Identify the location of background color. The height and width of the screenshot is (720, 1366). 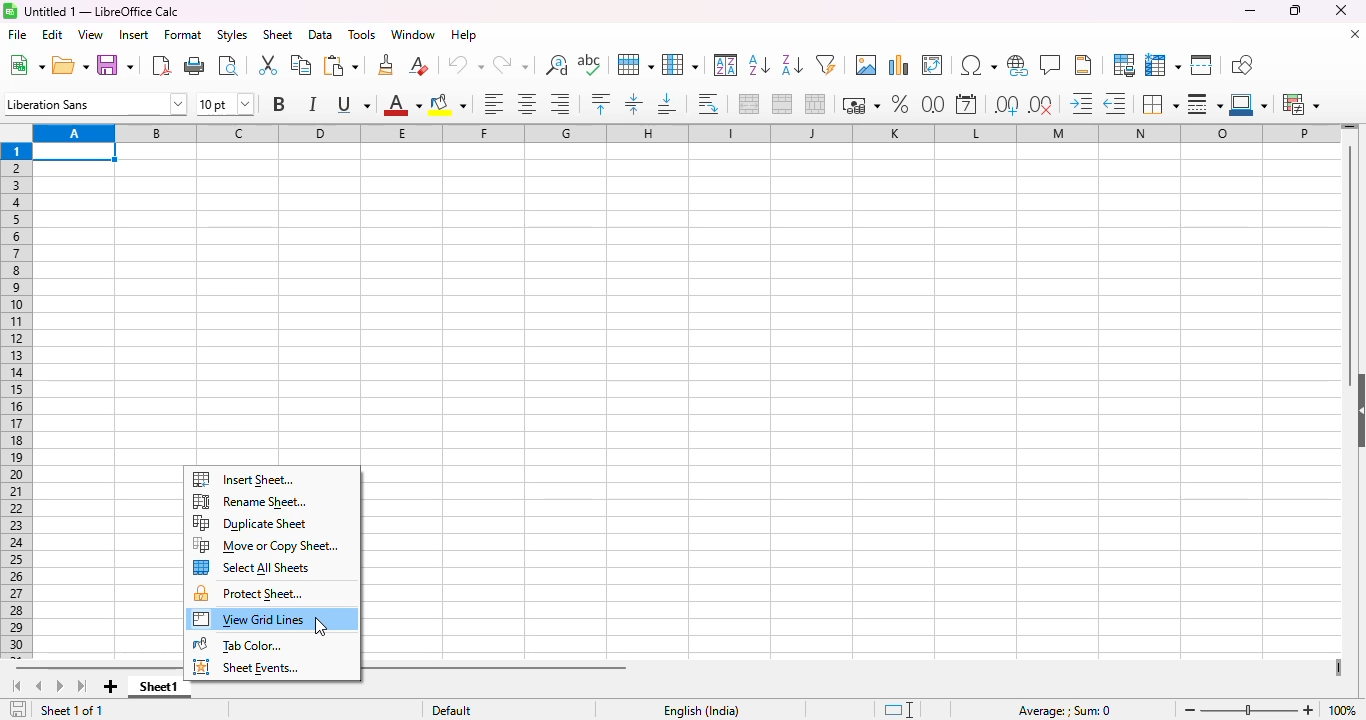
(449, 105).